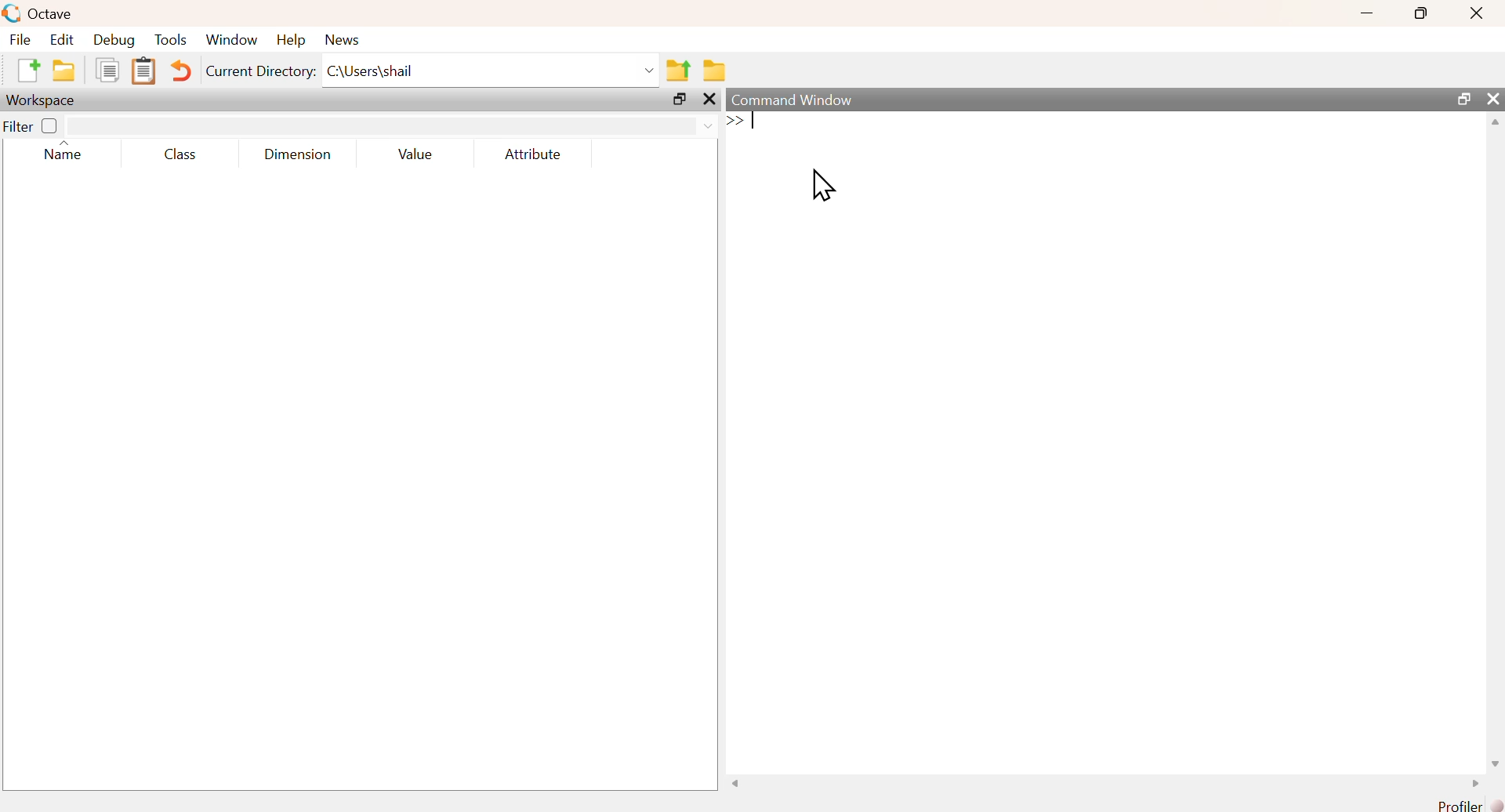 This screenshot has width=1505, height=812. Describe the element at coordinates (678, 99) in the screenshot. I see `maximize` at that location.